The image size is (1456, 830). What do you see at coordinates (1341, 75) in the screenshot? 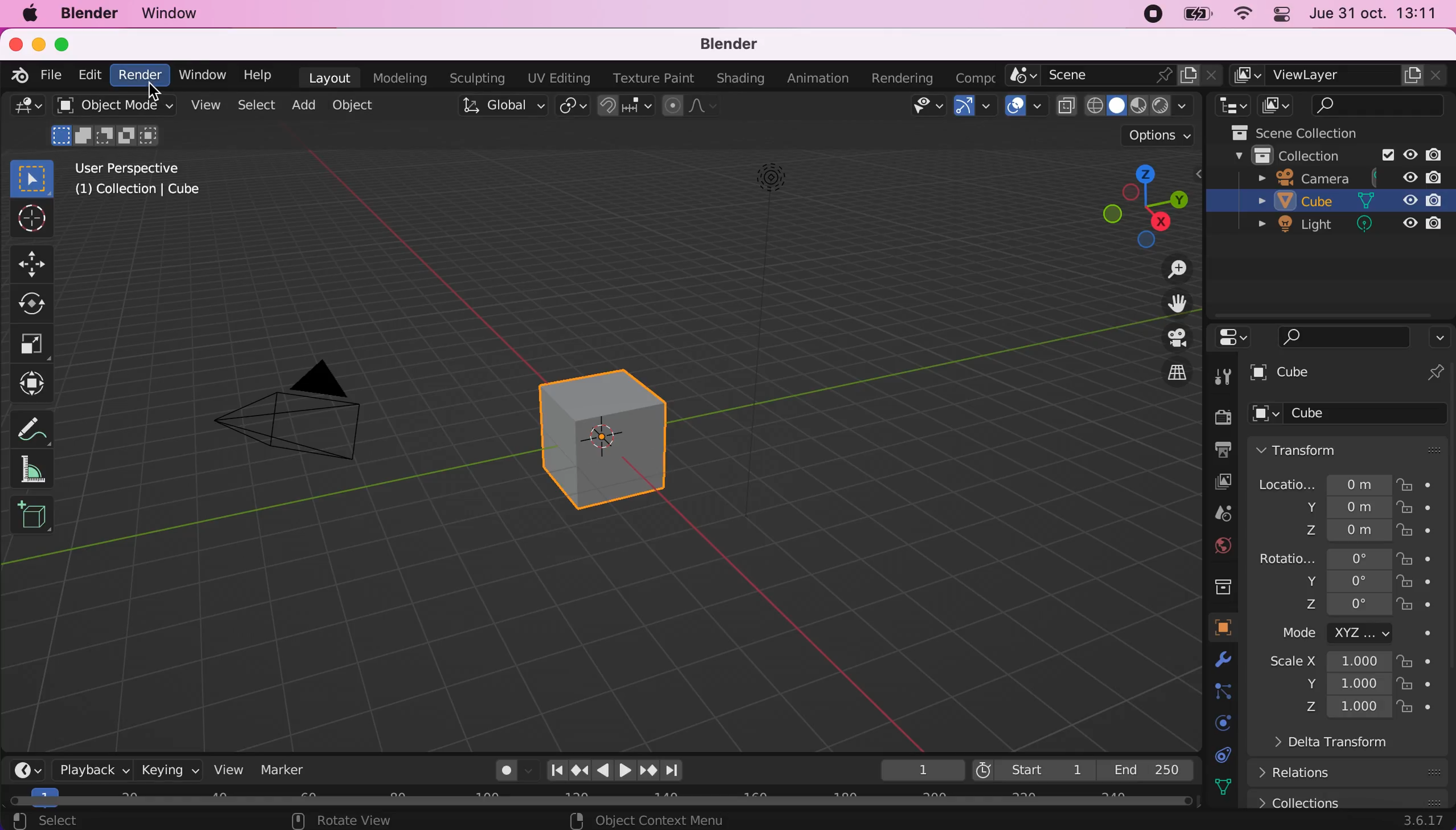
I see `view layer` at bounding box center [1341, 75].